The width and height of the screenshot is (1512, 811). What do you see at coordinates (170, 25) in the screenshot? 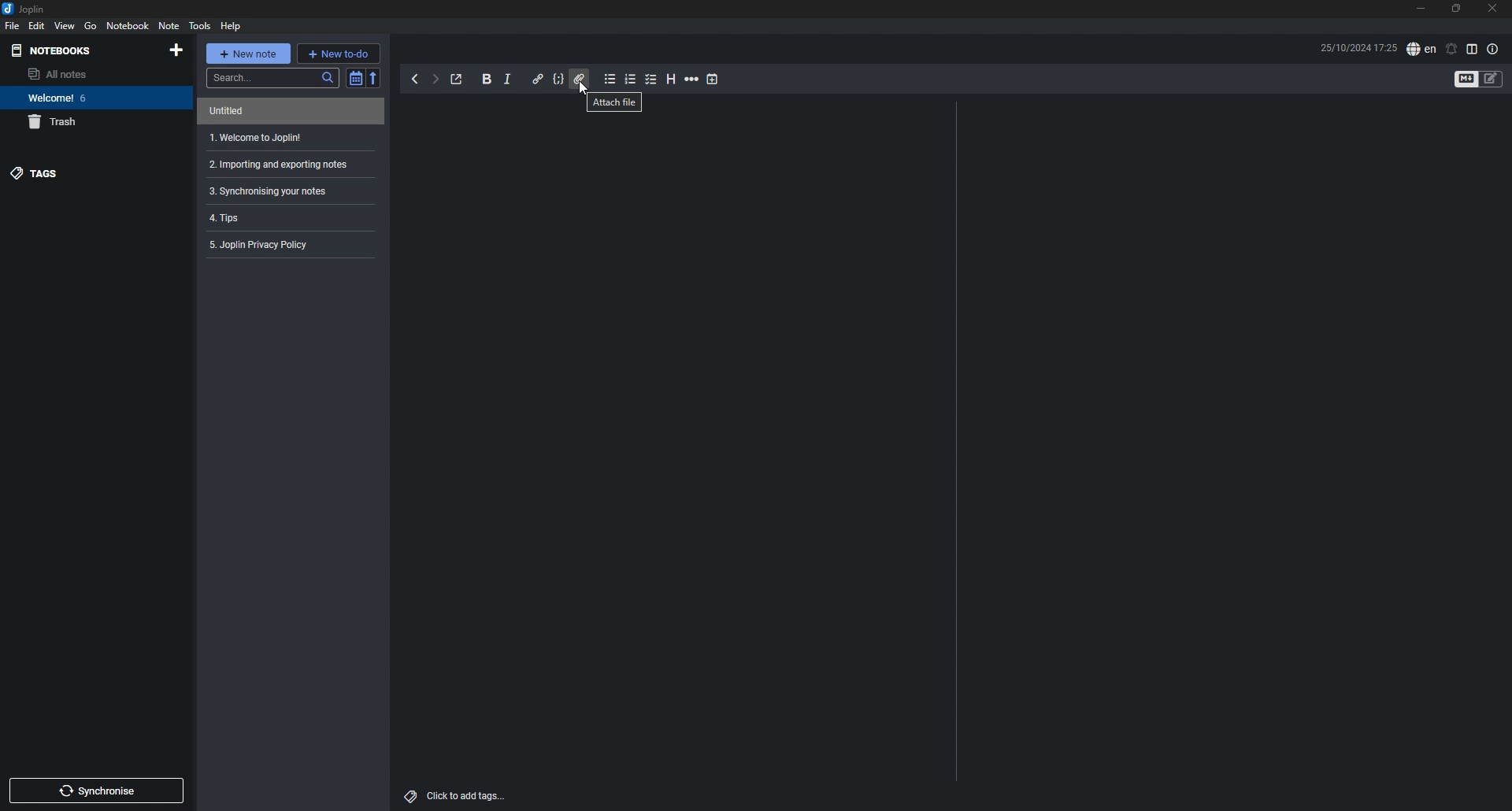
I see `note` at bounding box center [170, 25].